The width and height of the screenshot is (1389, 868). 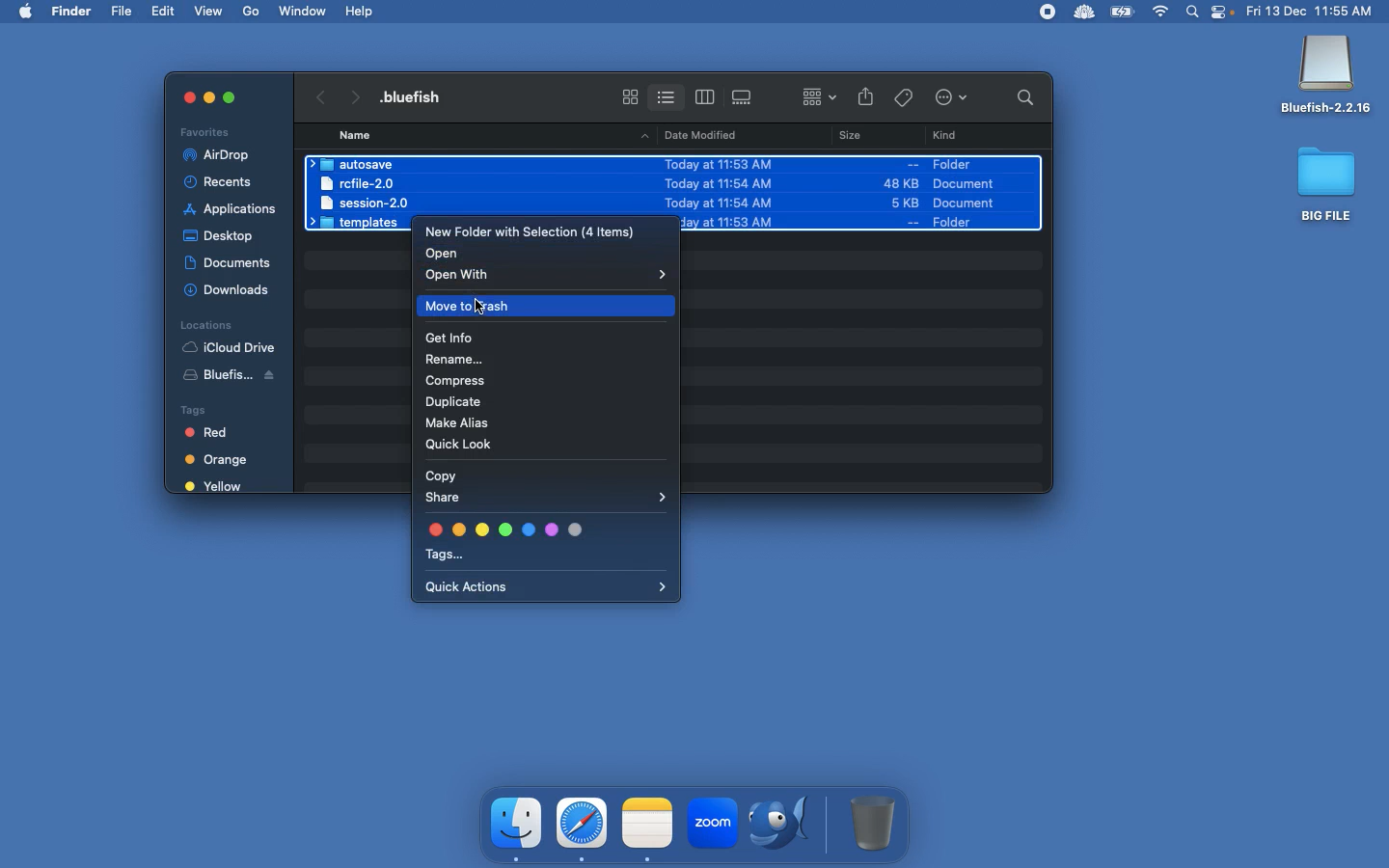 I want to click on Search, so click(x=1193, y=14).